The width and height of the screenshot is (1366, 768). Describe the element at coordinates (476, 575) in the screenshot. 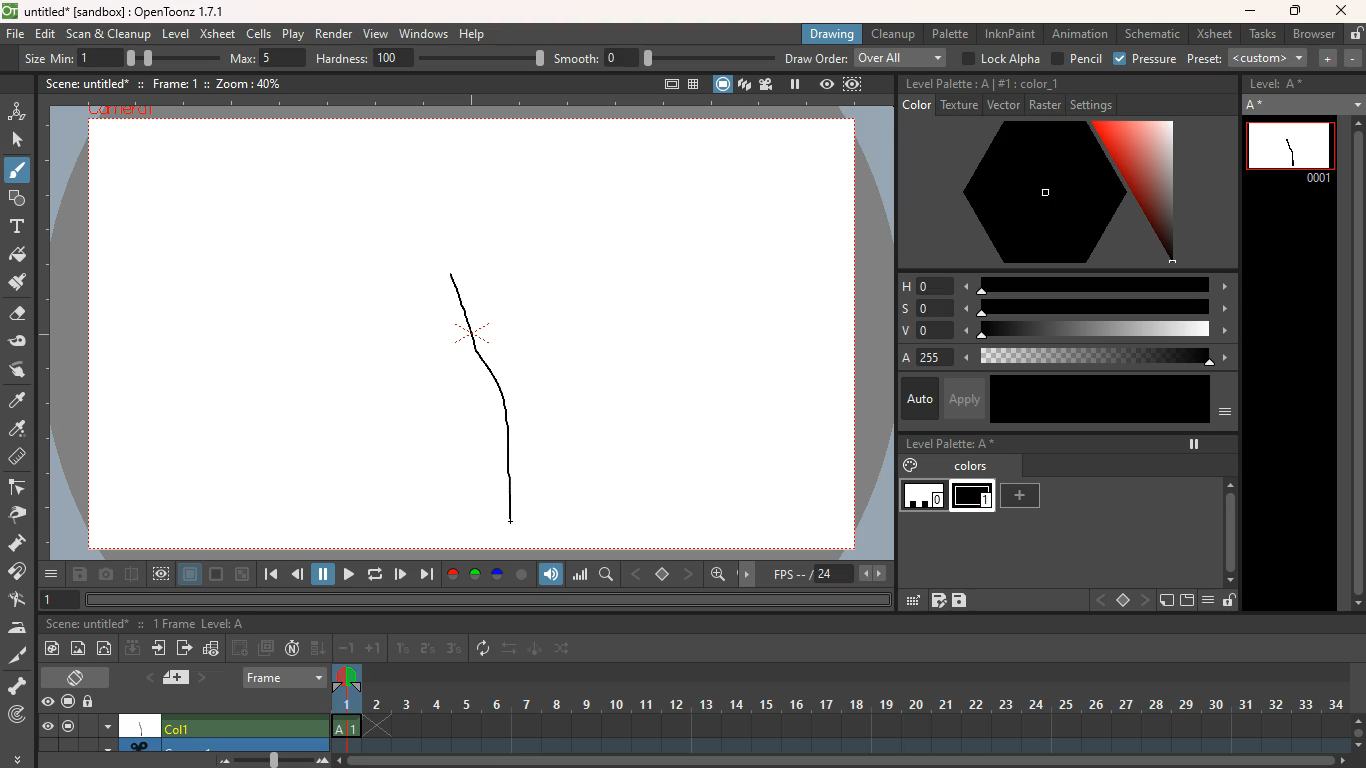

I see `green` at that location.